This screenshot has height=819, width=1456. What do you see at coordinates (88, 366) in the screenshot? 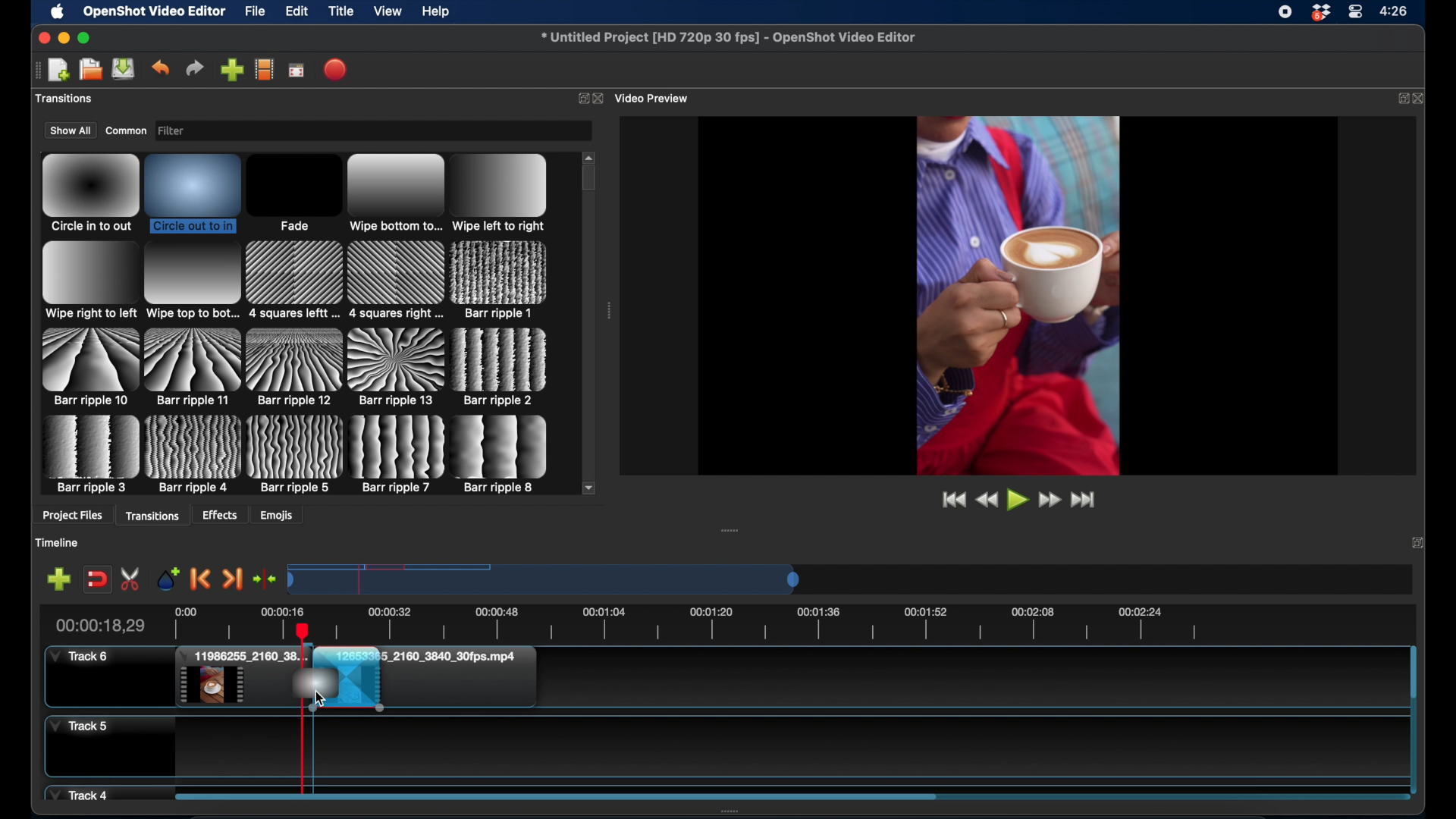
I see `transition` at bounding box center [88, 366].